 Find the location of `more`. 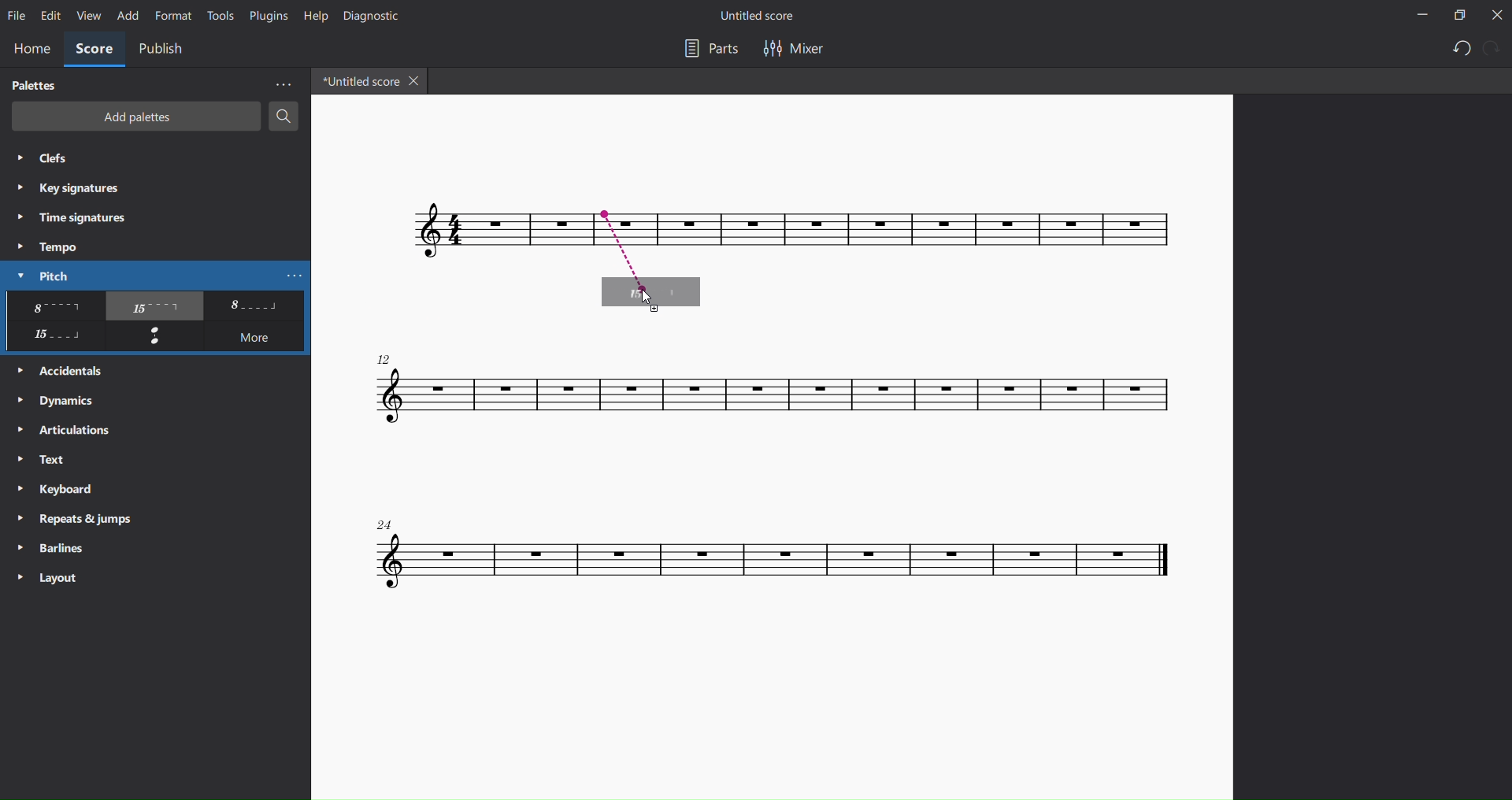

more is located at coordinates (278, 85).